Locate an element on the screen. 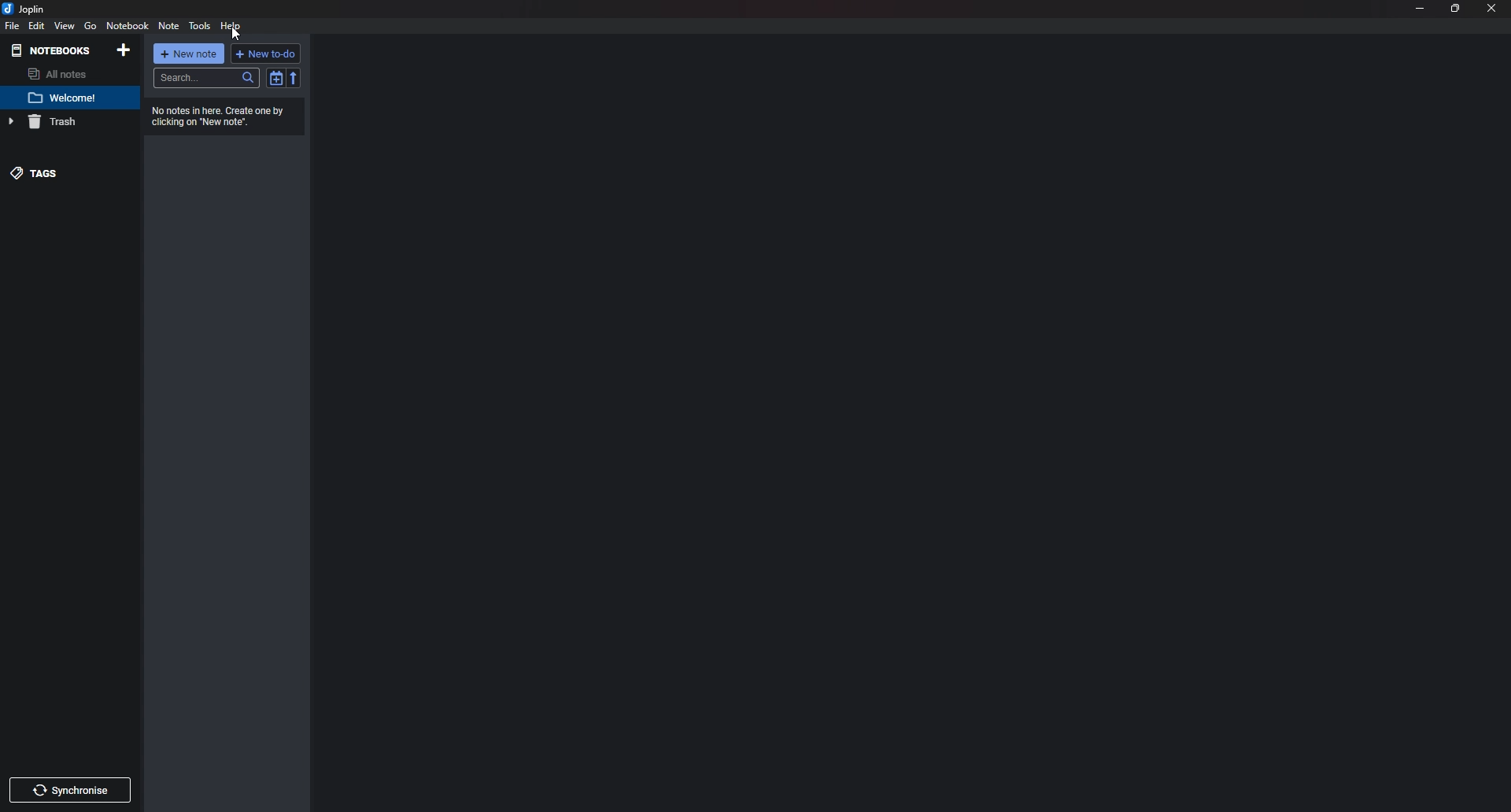  Note is located at coordinates (65, 98).